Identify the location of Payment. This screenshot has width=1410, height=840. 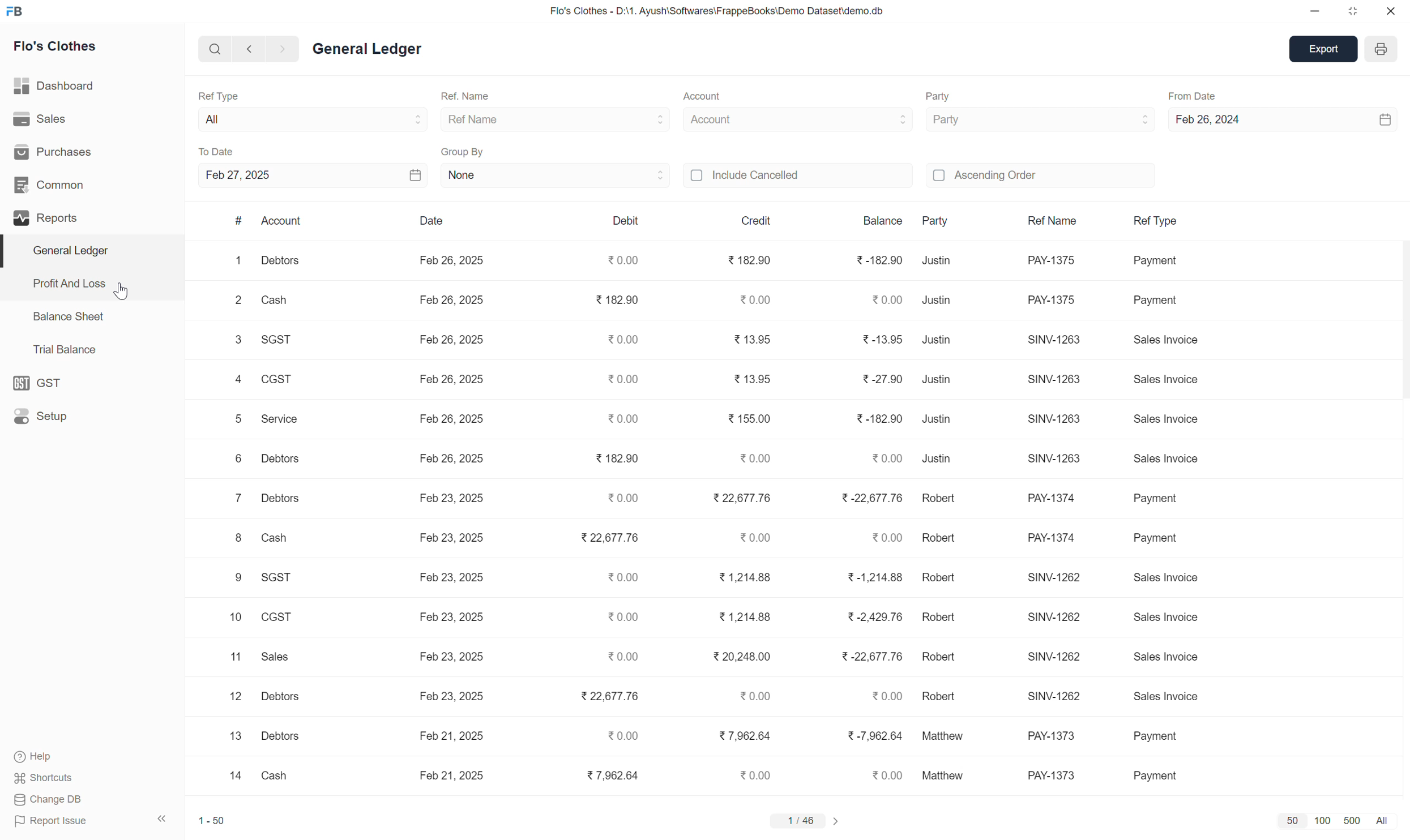
(1159, 539).